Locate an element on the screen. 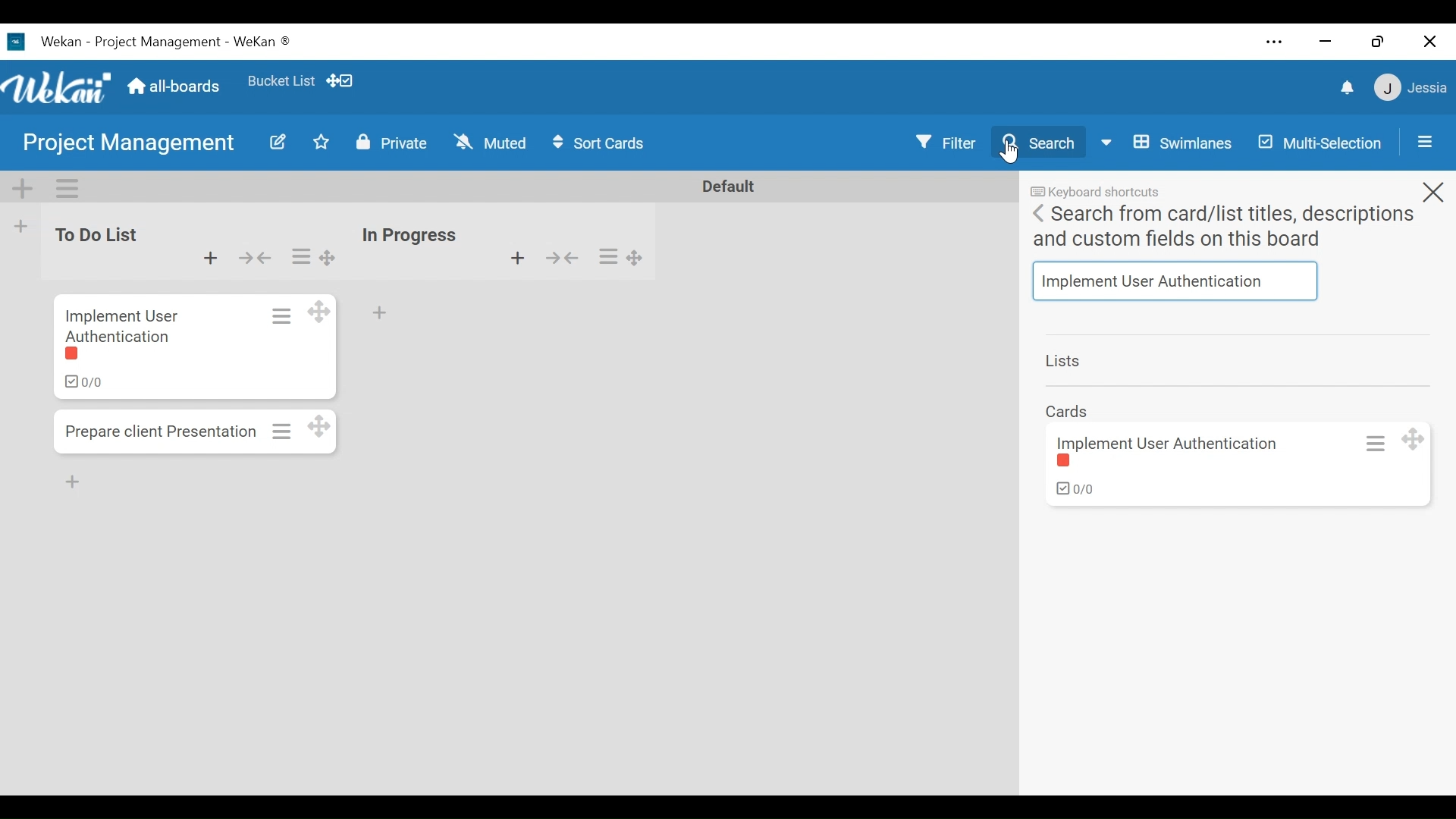 The height and width of the screenshot is (819, 1456). to do list is located at coordinates (103, 227).